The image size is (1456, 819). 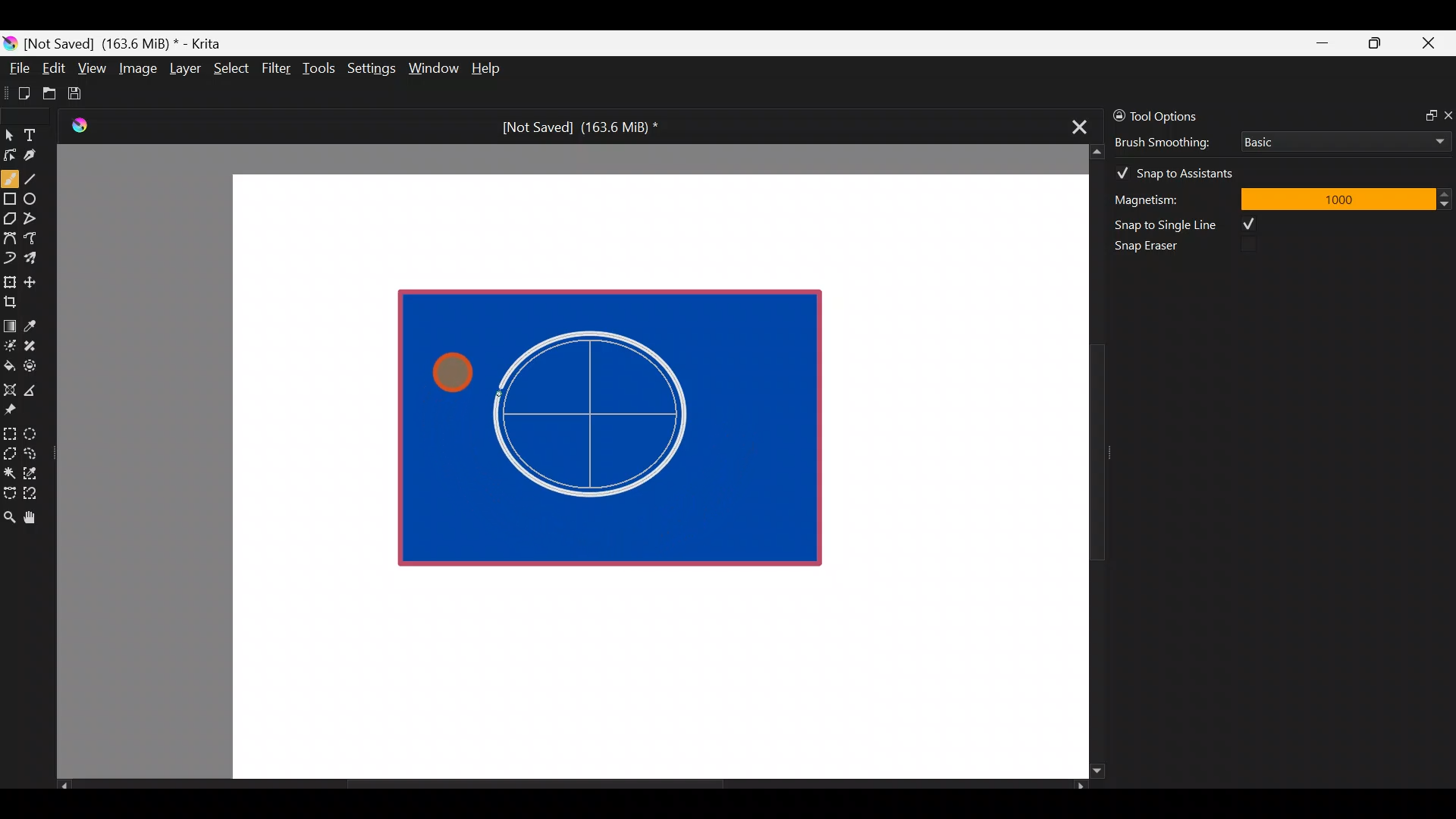 I want to click on Window, so click(x=433, y=70).